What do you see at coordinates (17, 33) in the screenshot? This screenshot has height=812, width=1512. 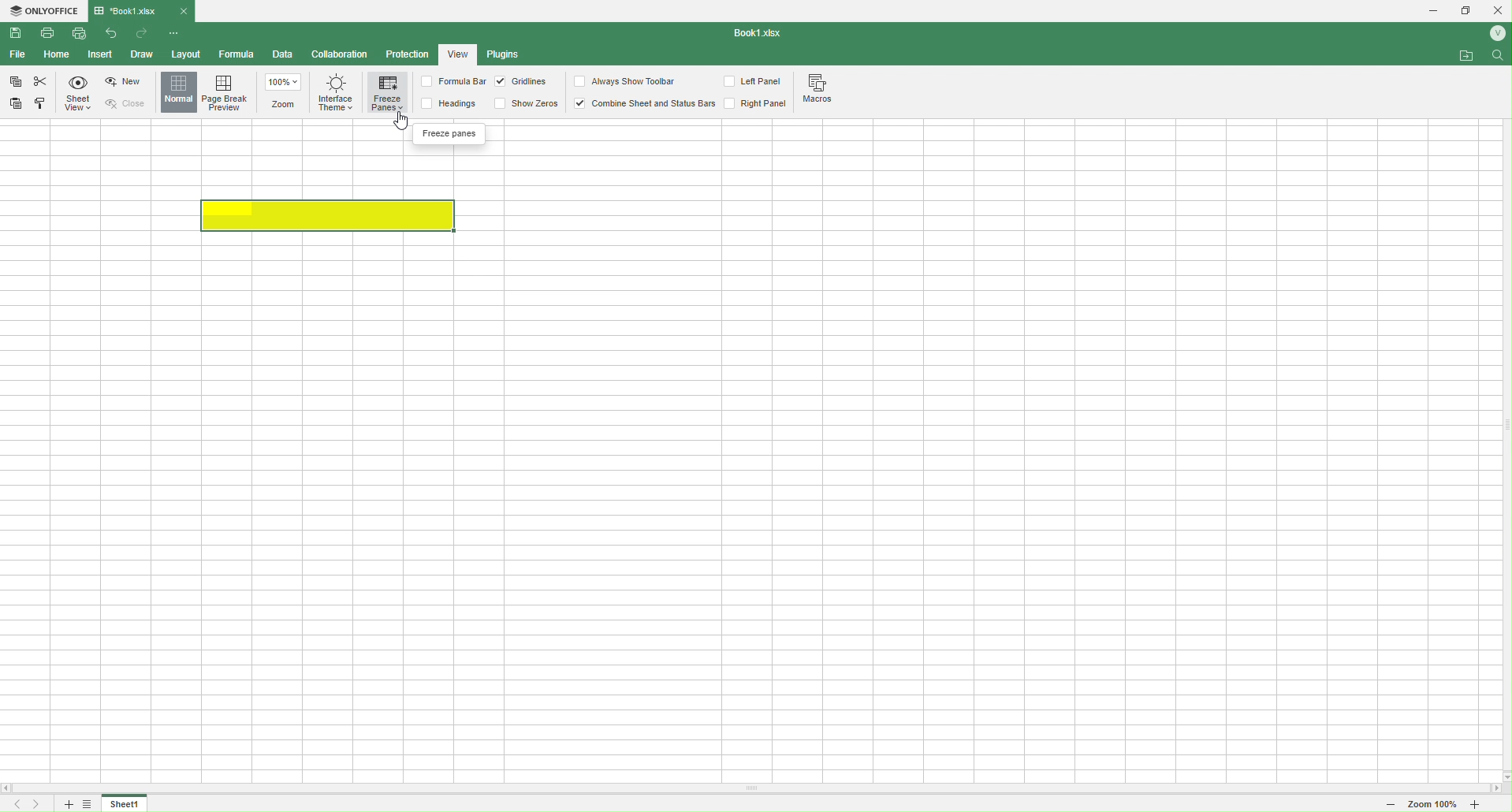 I see `Save` at bounding box center [17, 33].